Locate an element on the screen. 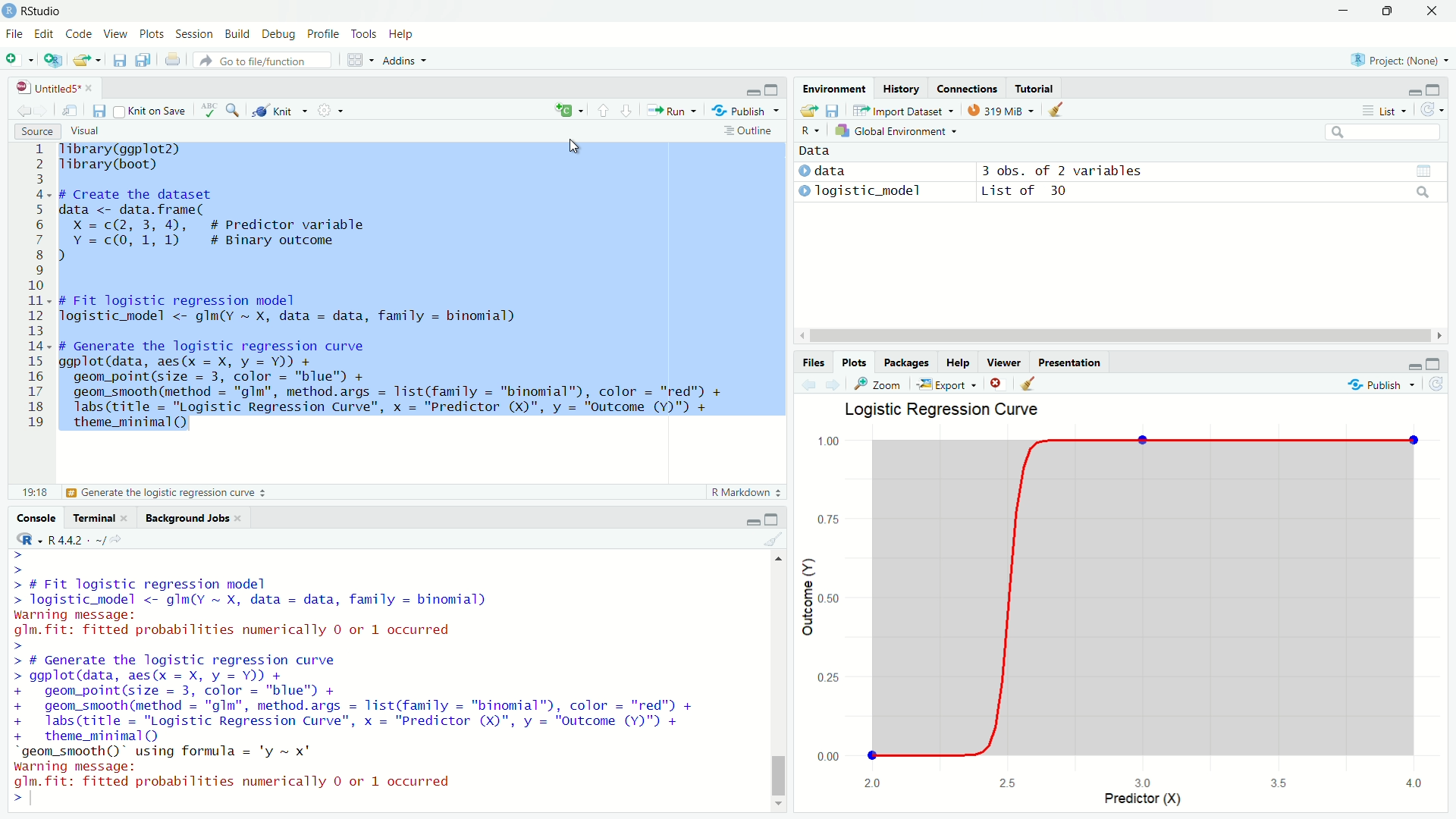 The image size is (1456, 819). R 4.4.2 . ~/ is located at coordinates (77, 539).